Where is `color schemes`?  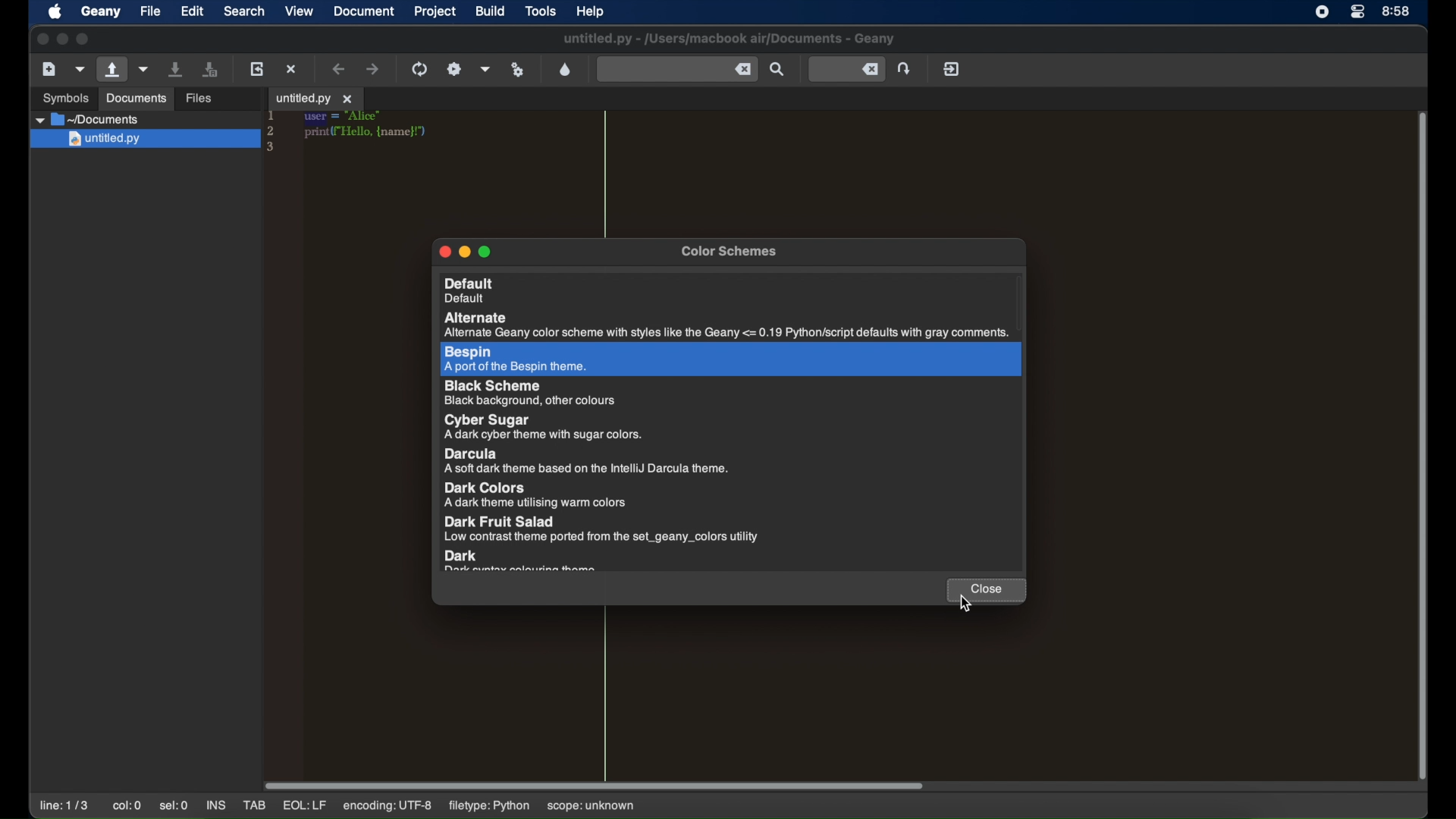
color schemes is located at coordinates (730, 252).